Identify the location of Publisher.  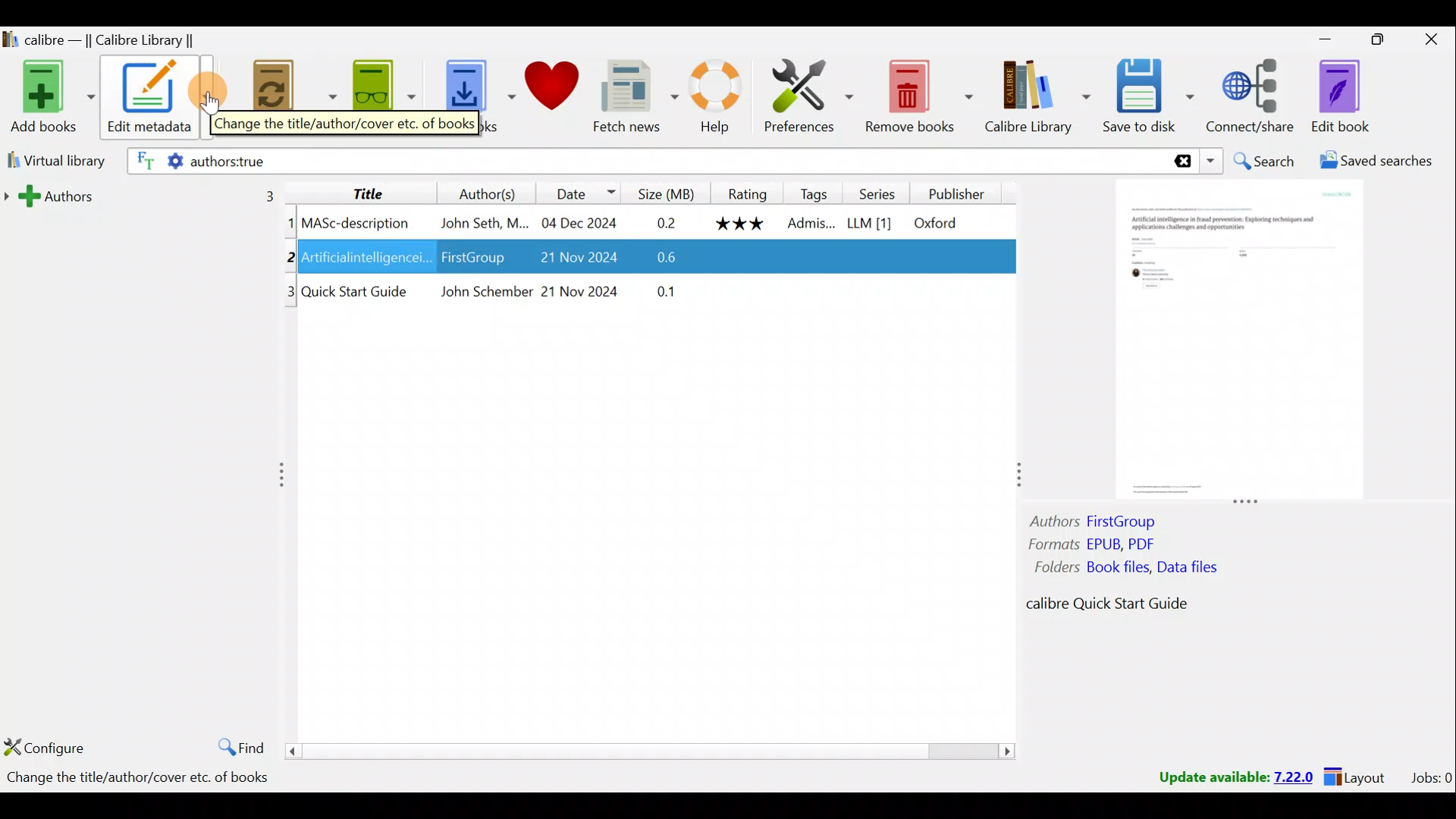
(961, 192).